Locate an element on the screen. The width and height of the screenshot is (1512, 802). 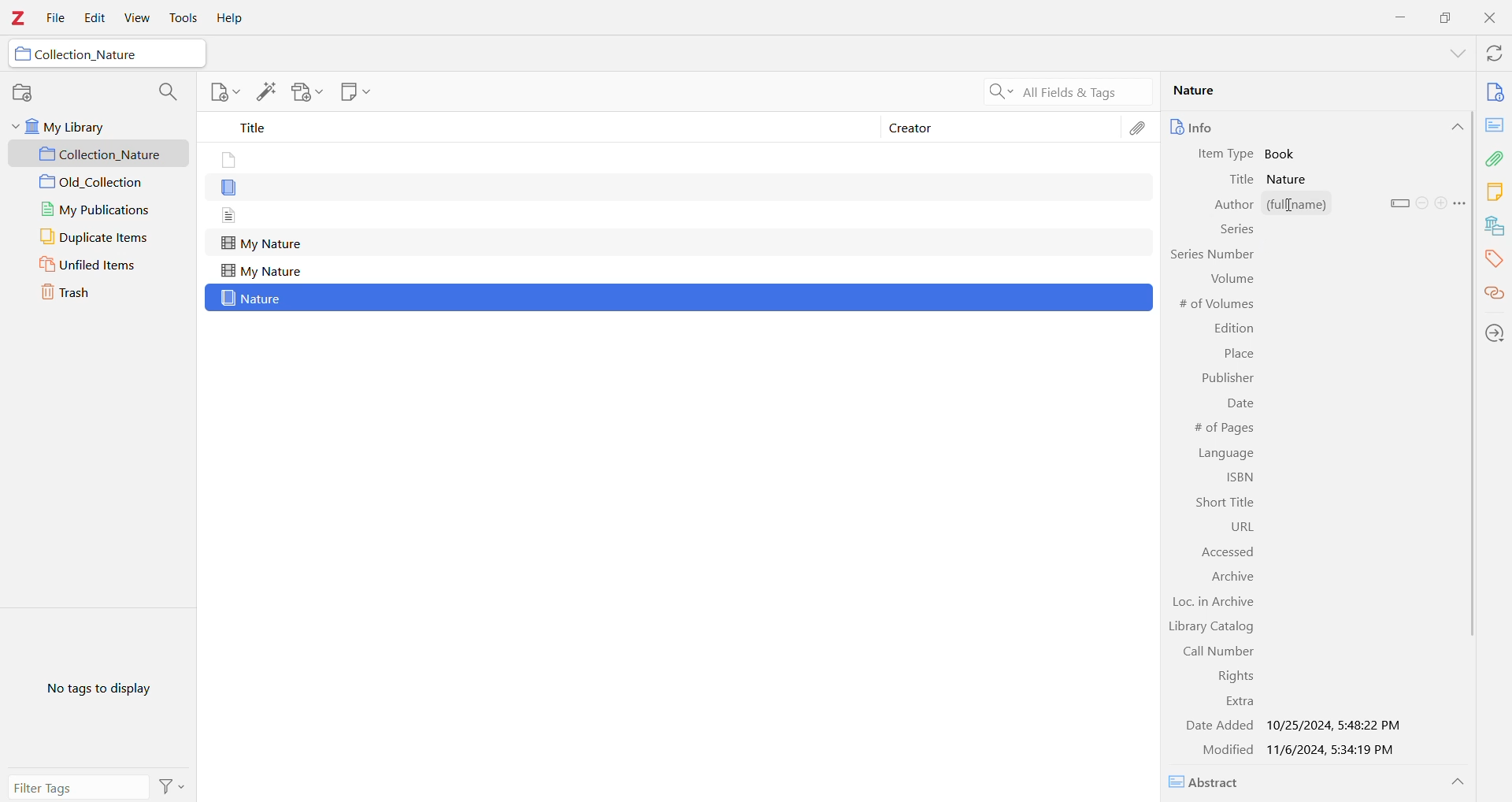
Libraries and Colections is located at coordinates (1495, 228).